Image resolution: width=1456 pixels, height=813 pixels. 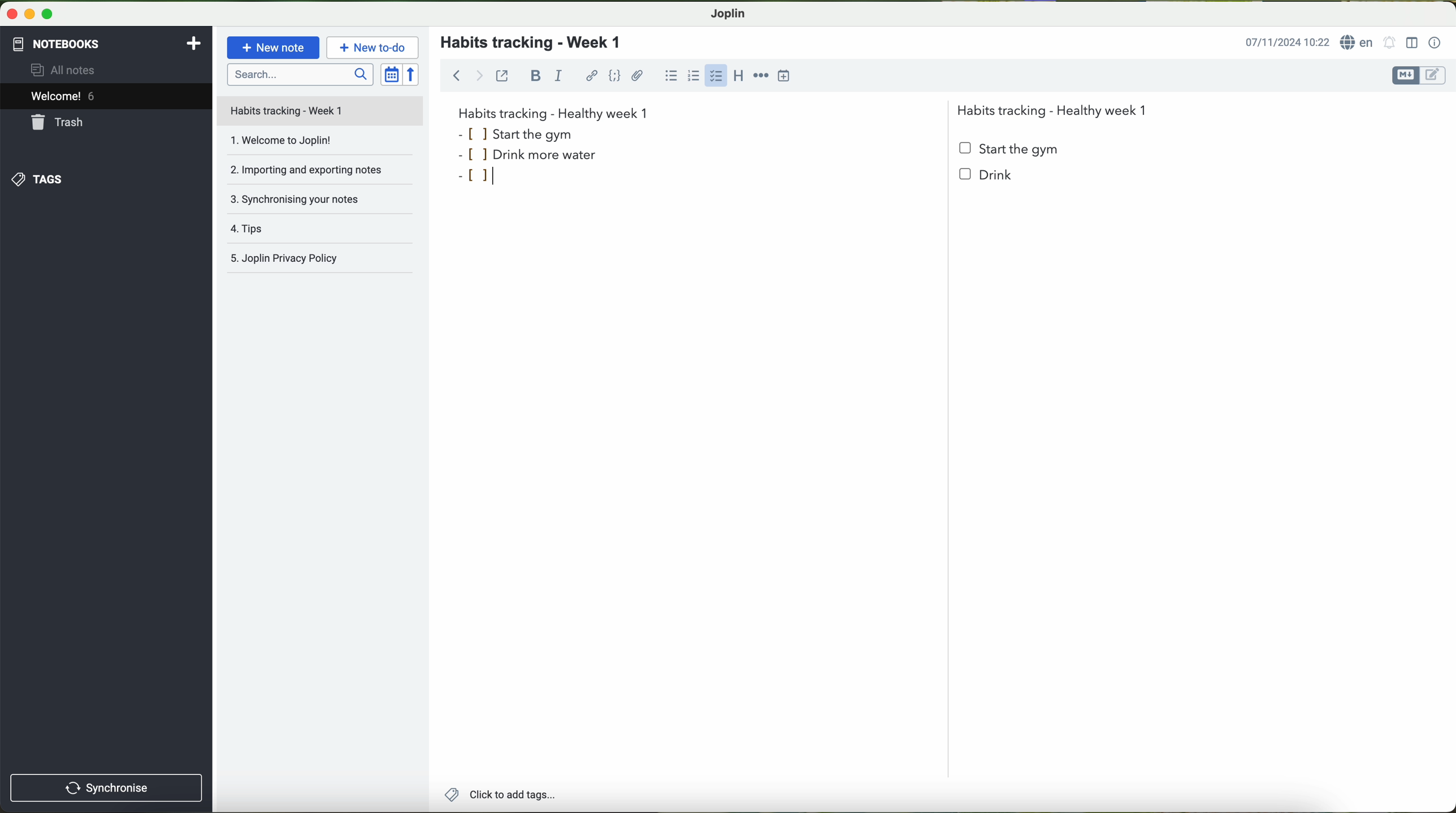 What do you see at coordinates (48, 14) in the screenshot?
I see `maximize` at bounding box center [48, 14].